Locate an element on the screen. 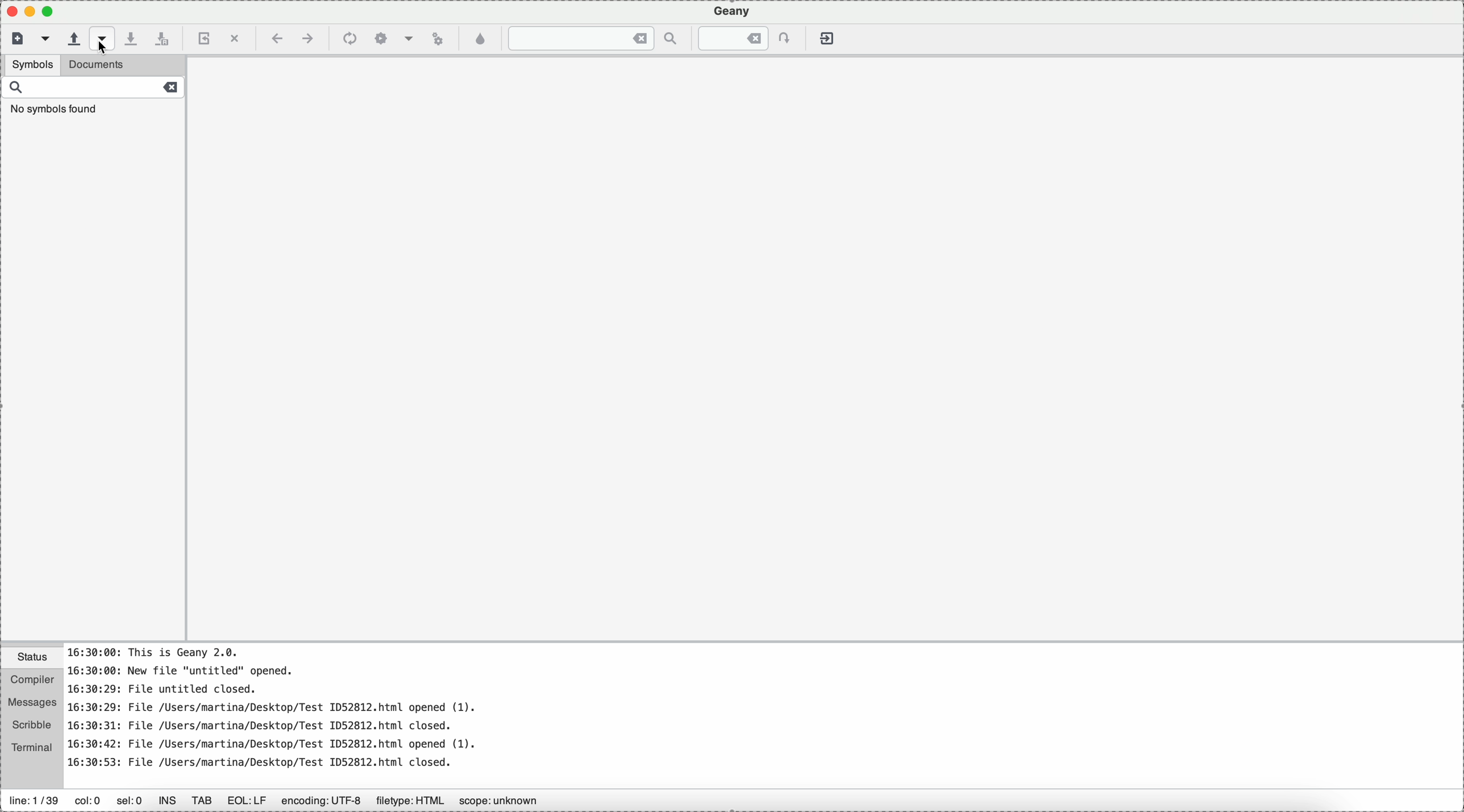  search bar is located at coordinates (93, 99).